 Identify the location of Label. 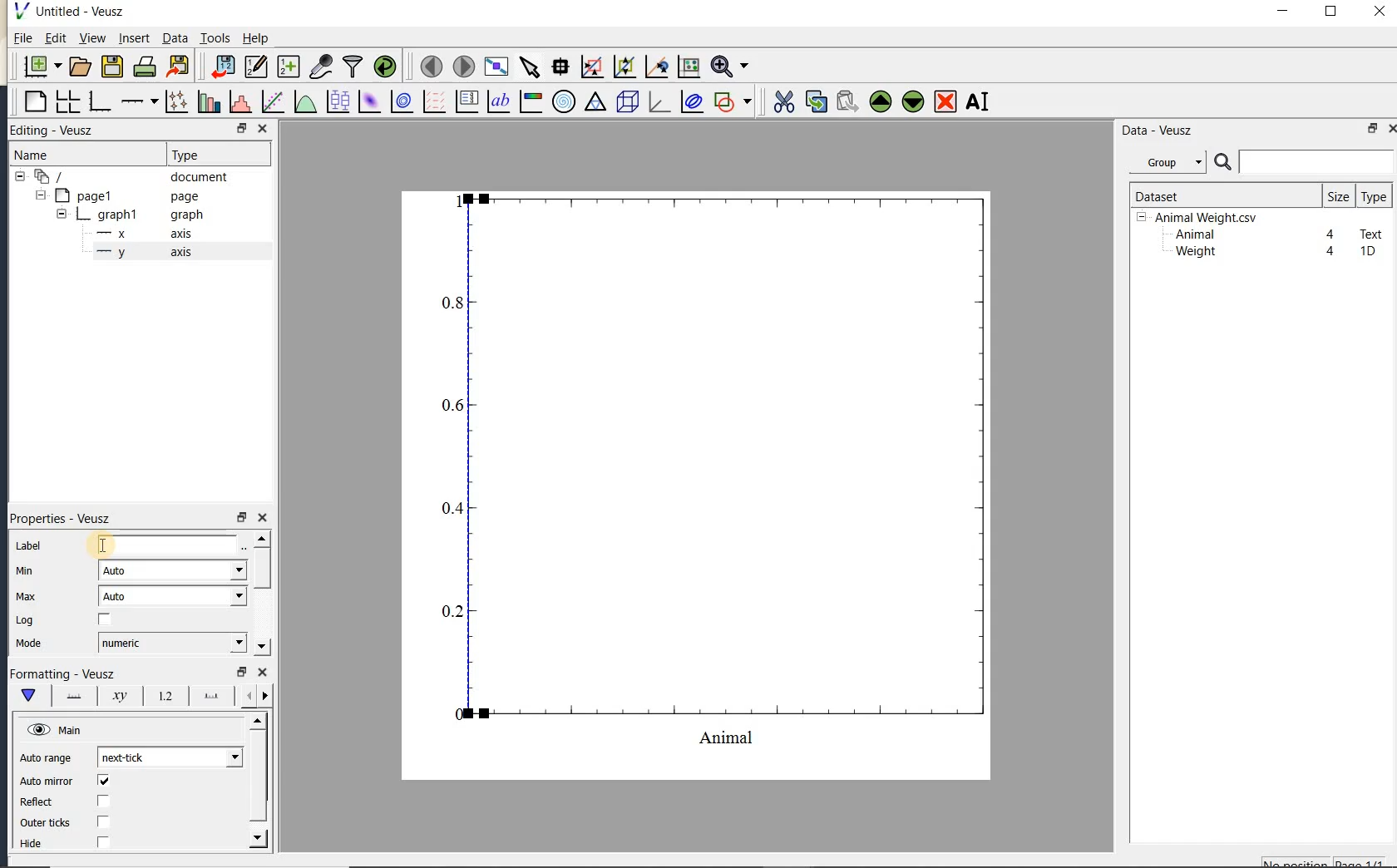
(31, 546).